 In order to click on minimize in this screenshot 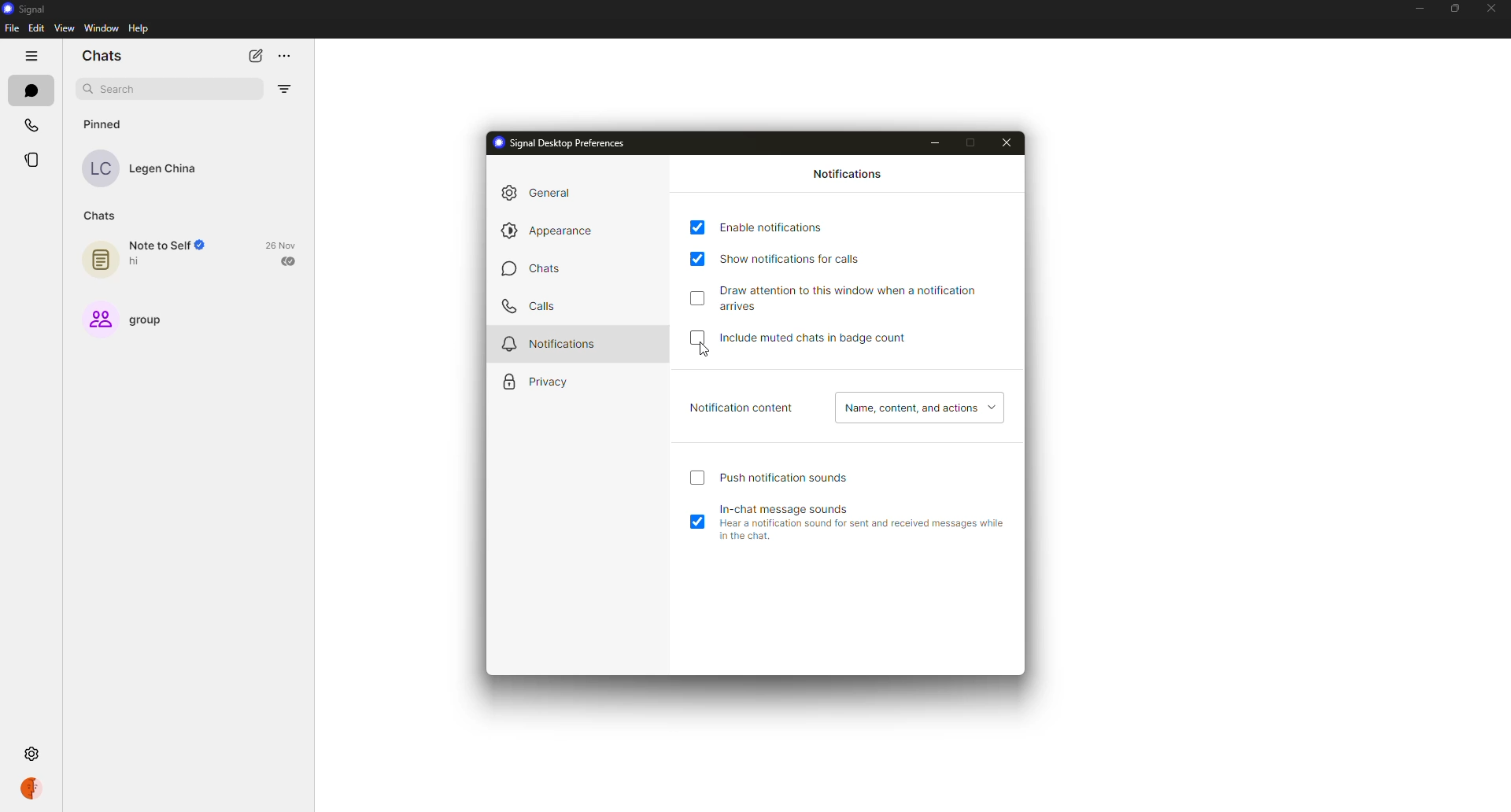, I will do `click(940, 141)`.